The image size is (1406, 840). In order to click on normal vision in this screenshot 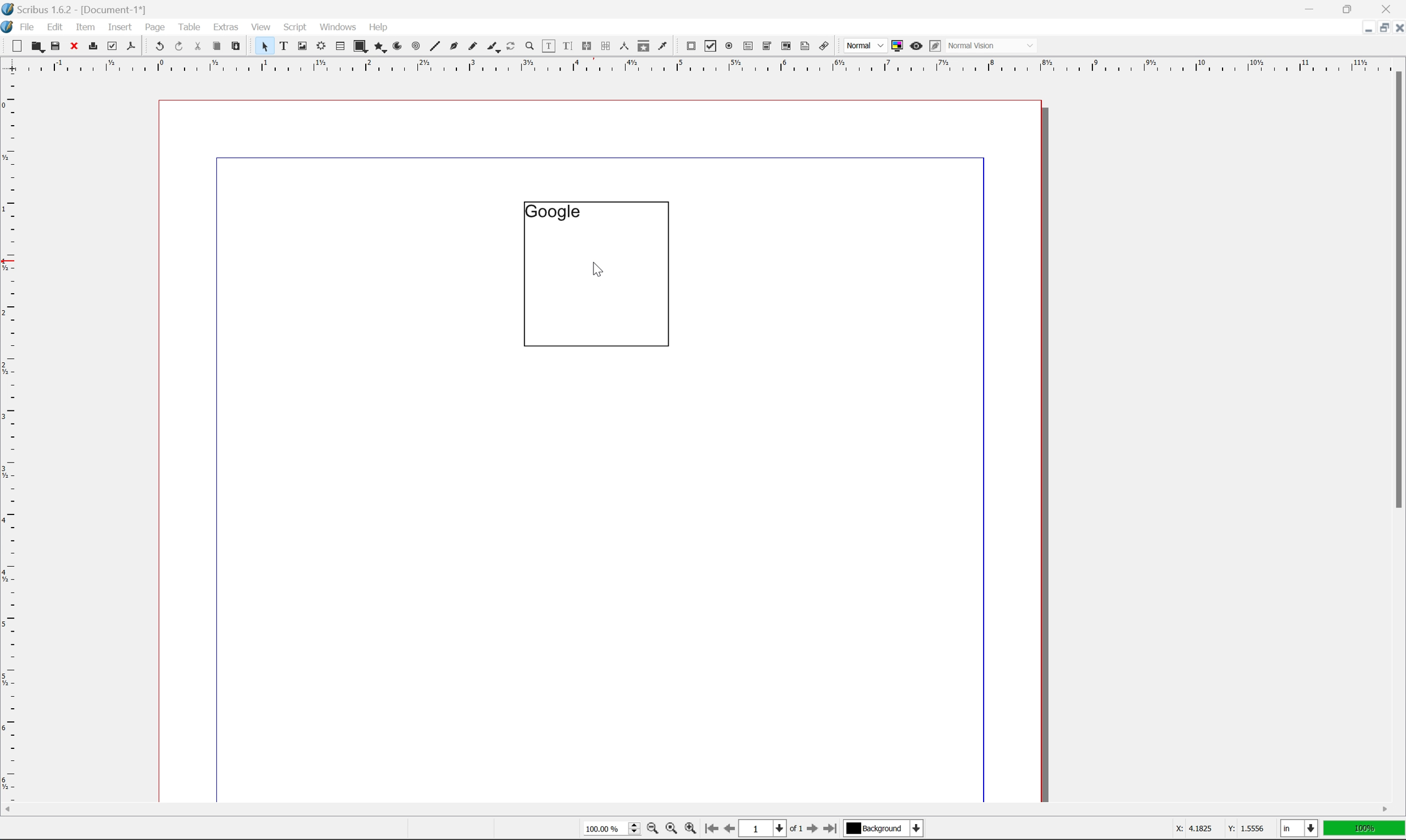, I will do `click(993, 45)`.